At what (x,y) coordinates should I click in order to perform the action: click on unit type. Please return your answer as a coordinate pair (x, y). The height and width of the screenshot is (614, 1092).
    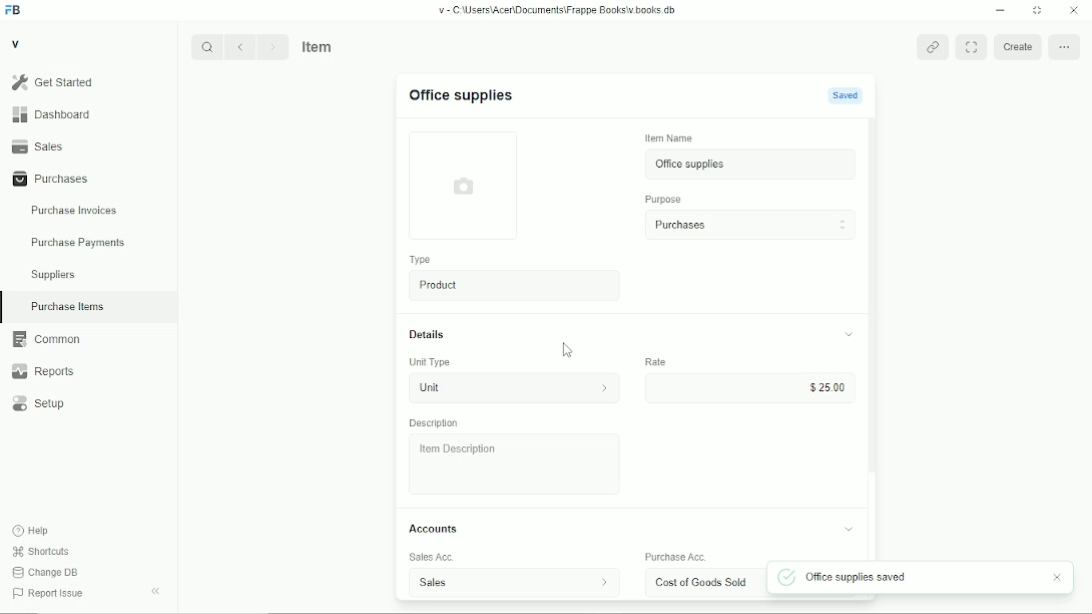
    Looking at the image, I should click on (430, 362).